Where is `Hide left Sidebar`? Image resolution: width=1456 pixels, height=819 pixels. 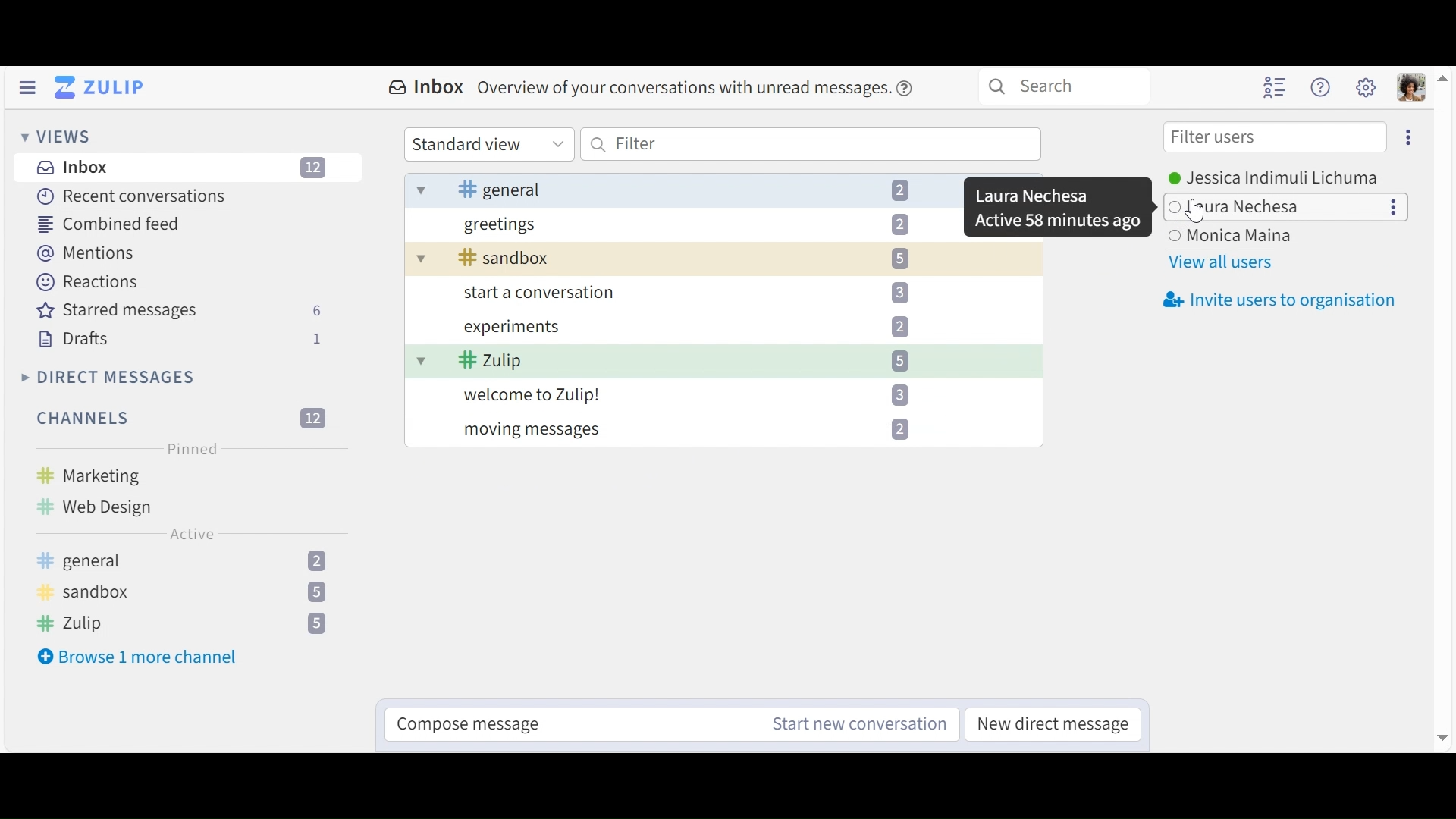 Hide left Sidebar is located at coordinates (29, 87).